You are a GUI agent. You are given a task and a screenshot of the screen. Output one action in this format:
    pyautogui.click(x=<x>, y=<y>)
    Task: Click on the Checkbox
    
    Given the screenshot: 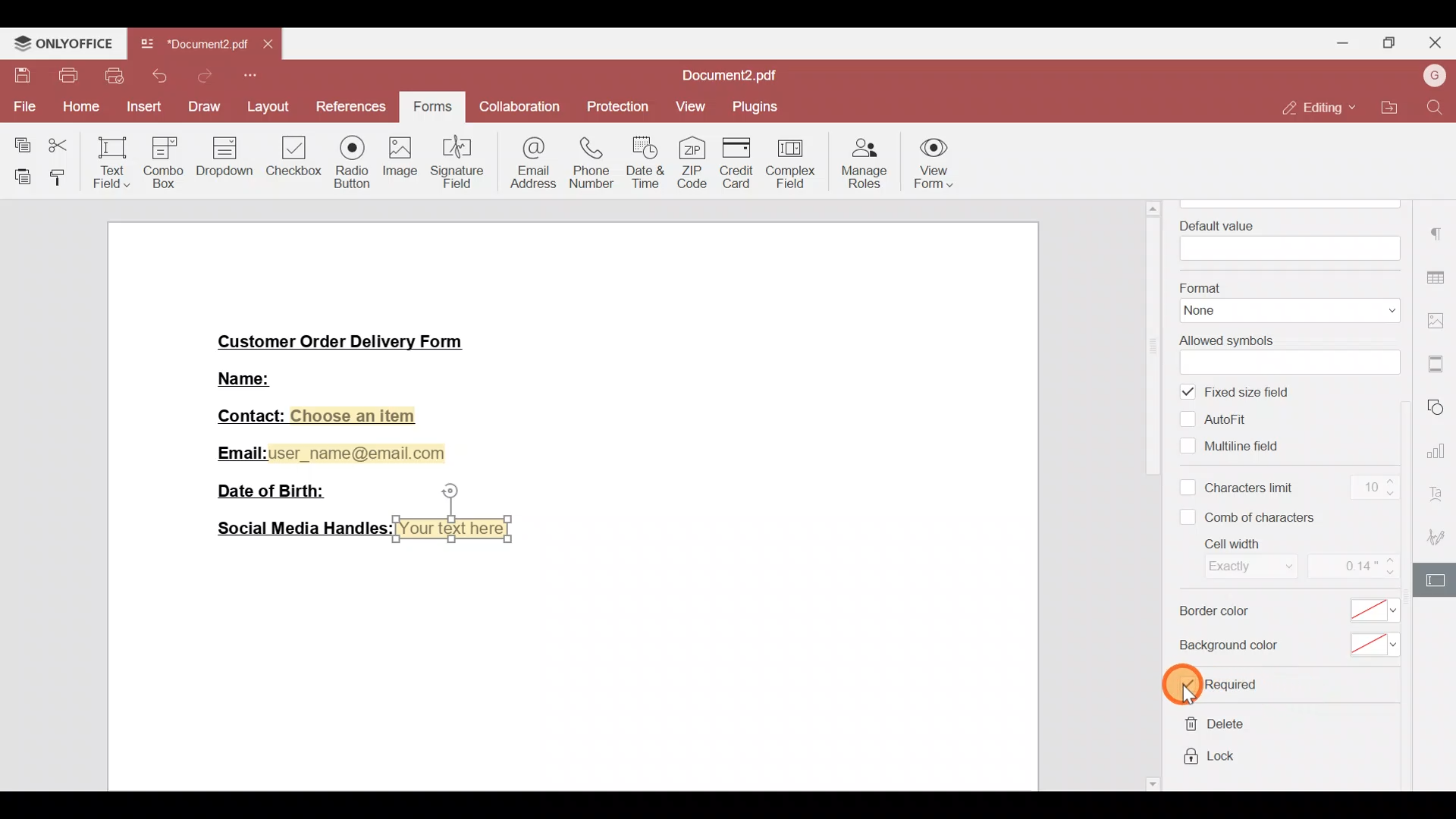 What is the action you would take?
    pyautogui.click(x=292, y=155)
    